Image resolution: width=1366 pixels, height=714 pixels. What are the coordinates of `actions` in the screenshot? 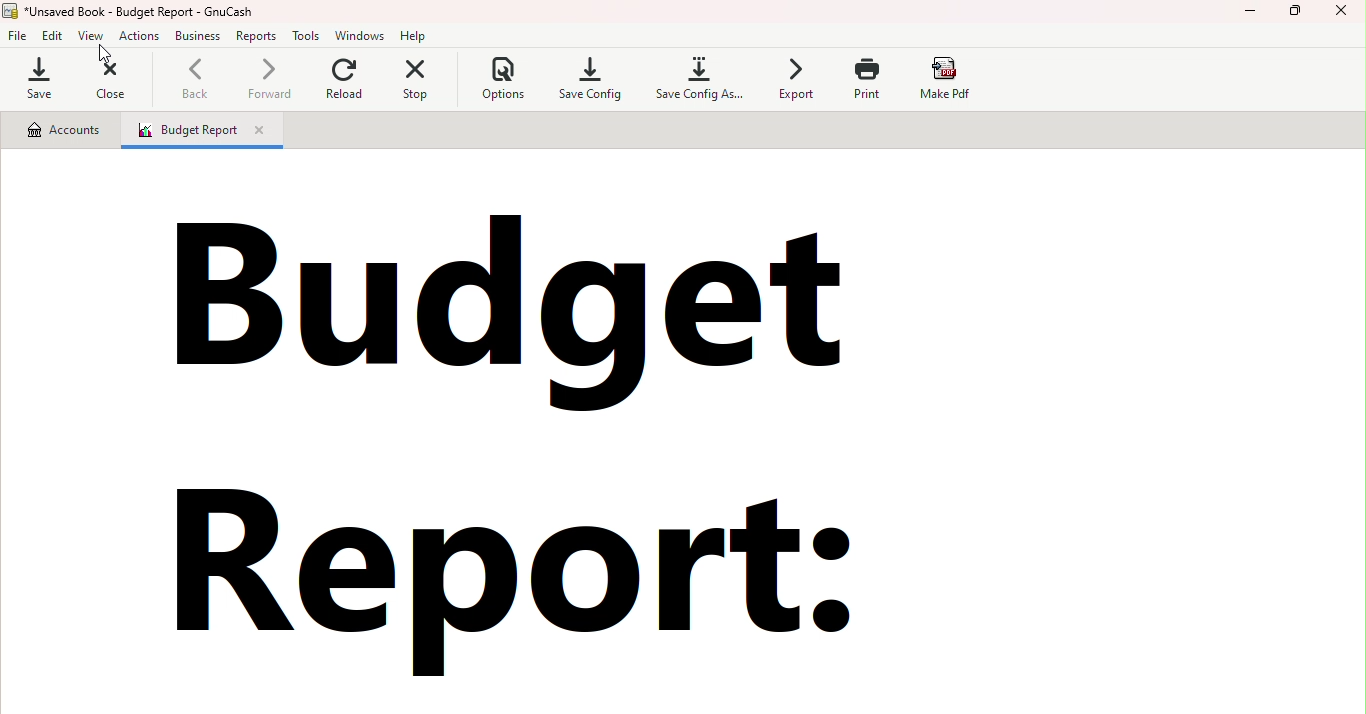 It's located at (141, 37).